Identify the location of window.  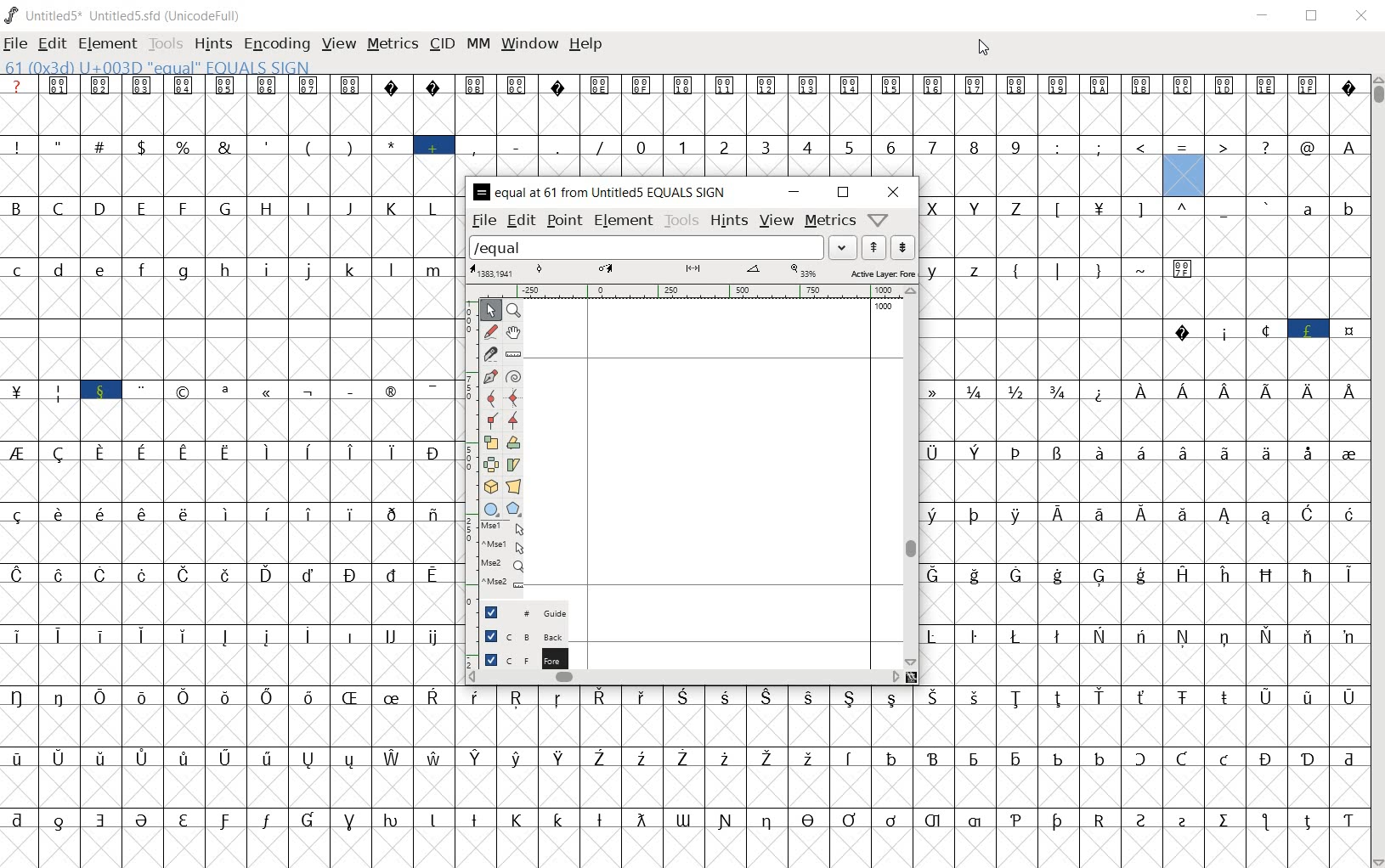
(529, 44).